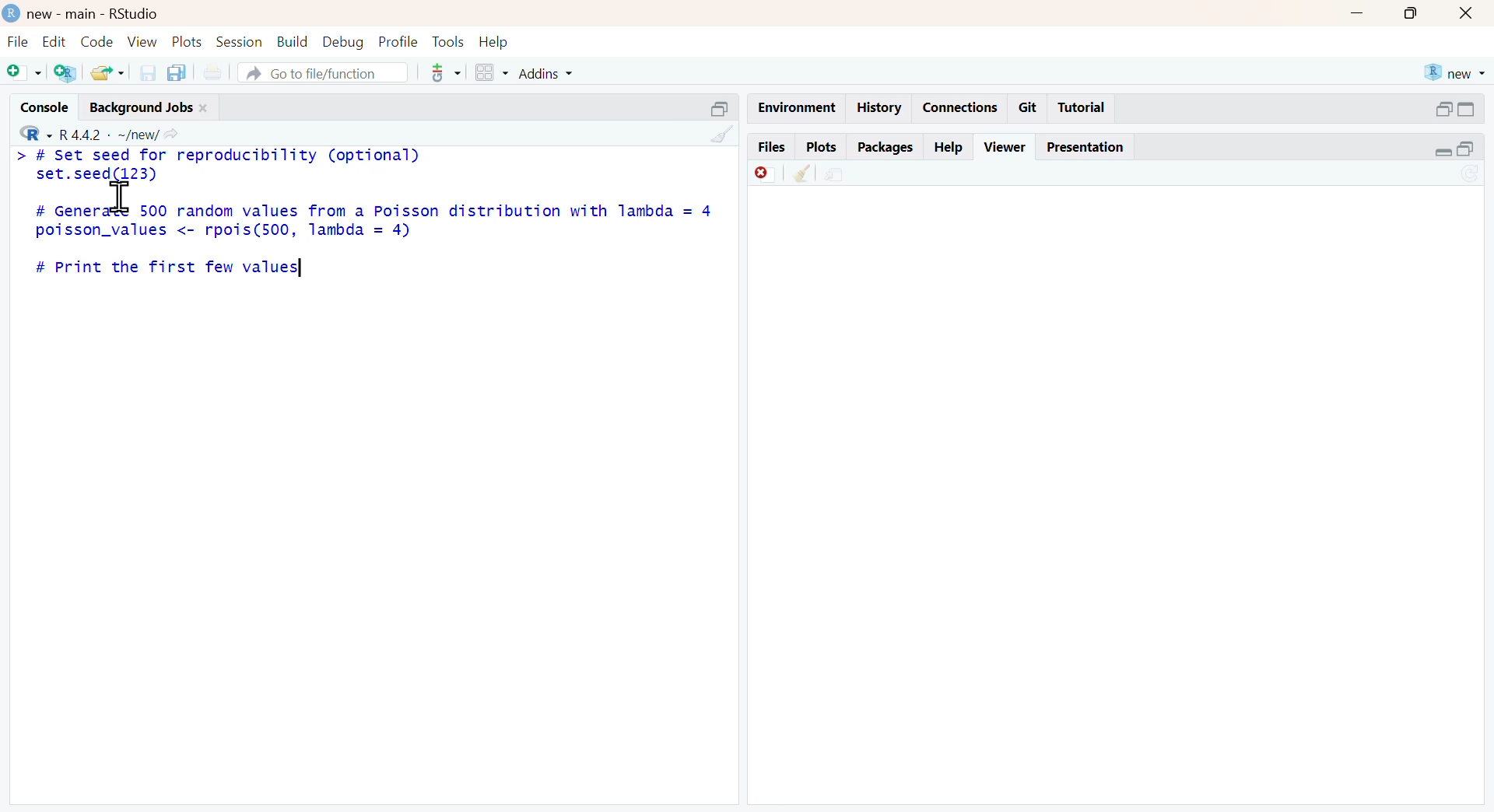 Image resolution: width=1494 pixels, height=812 pixels. Describe the element at coordinates (238, 42) in the screenshot. I see `session` at that location.